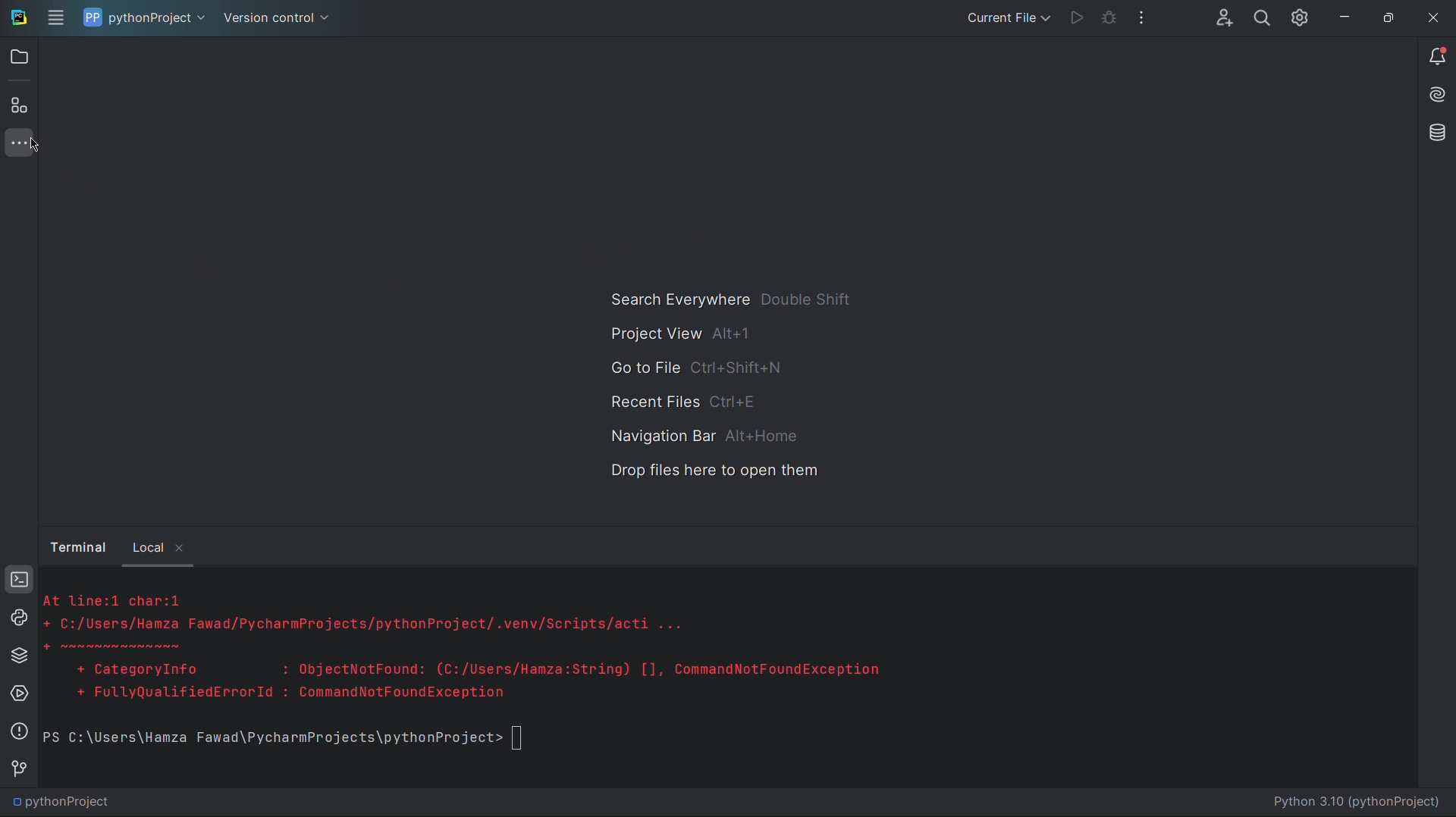 The height and width of the screenshot is (817, 1456). I want to click on Databases, so click(1434, 133).